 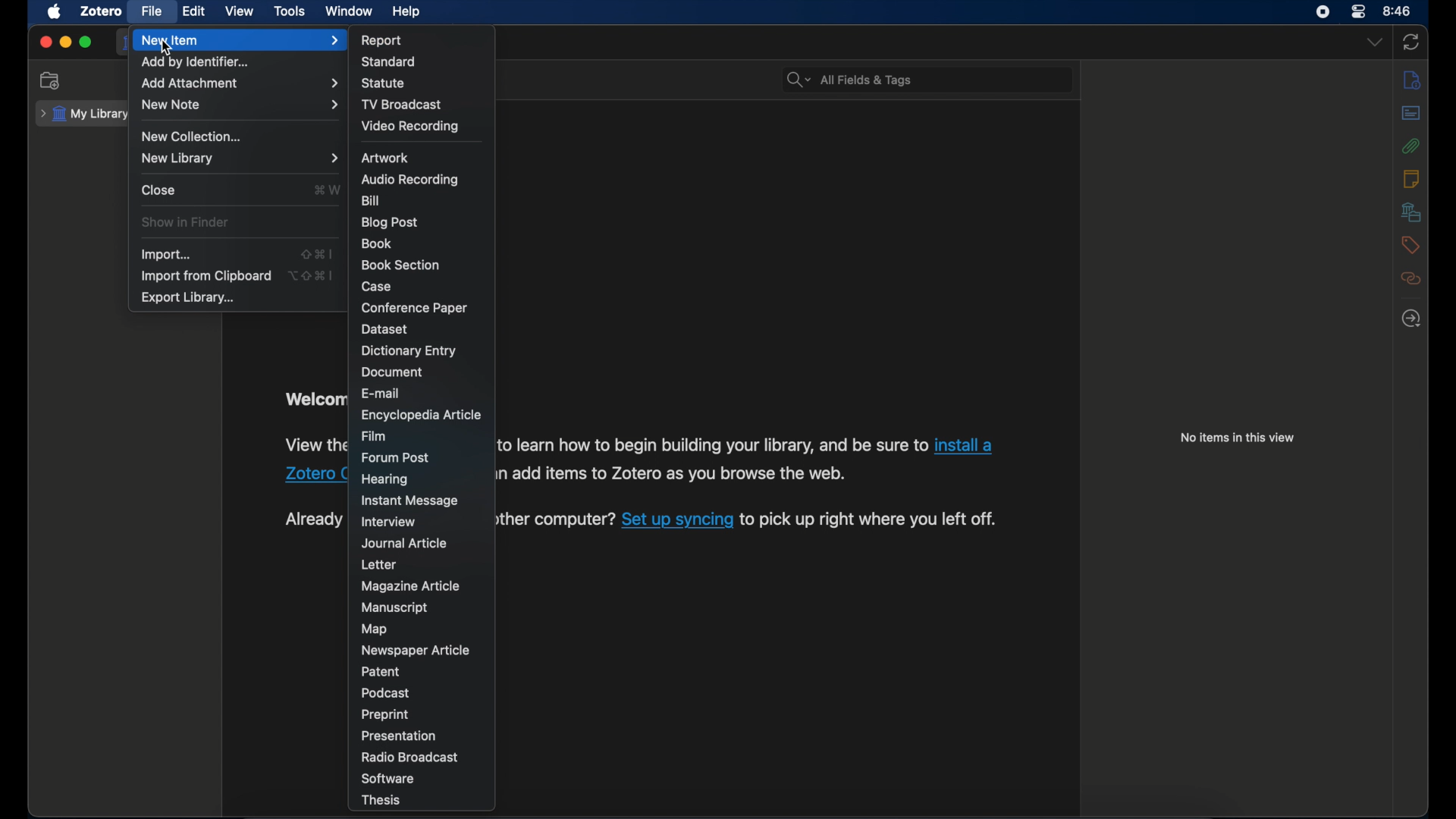 I want to click on import from clipboard, so click(x=206, y=275).